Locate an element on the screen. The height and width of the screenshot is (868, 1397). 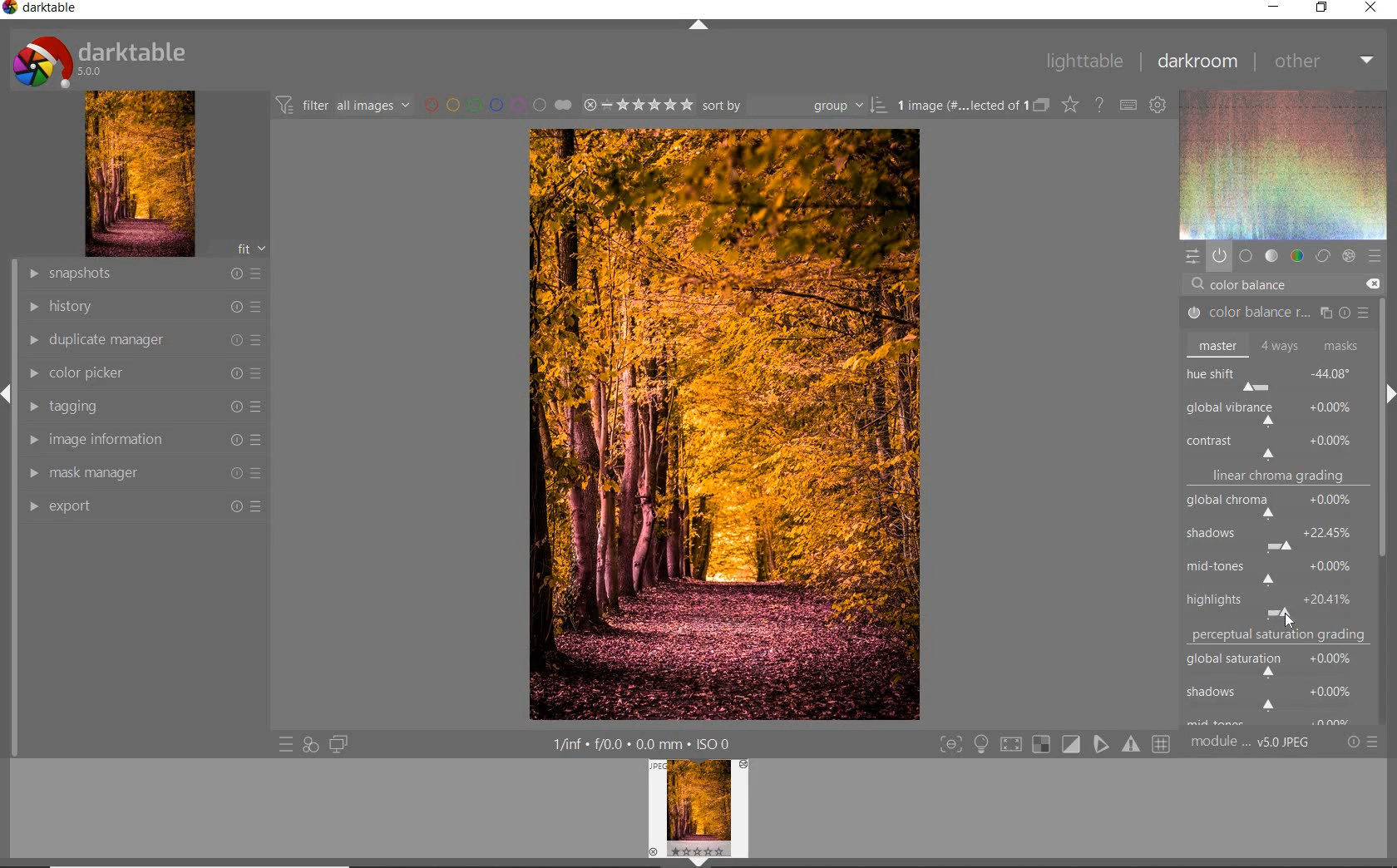
reset or preset & preference is located at coordinates (1361, 742).